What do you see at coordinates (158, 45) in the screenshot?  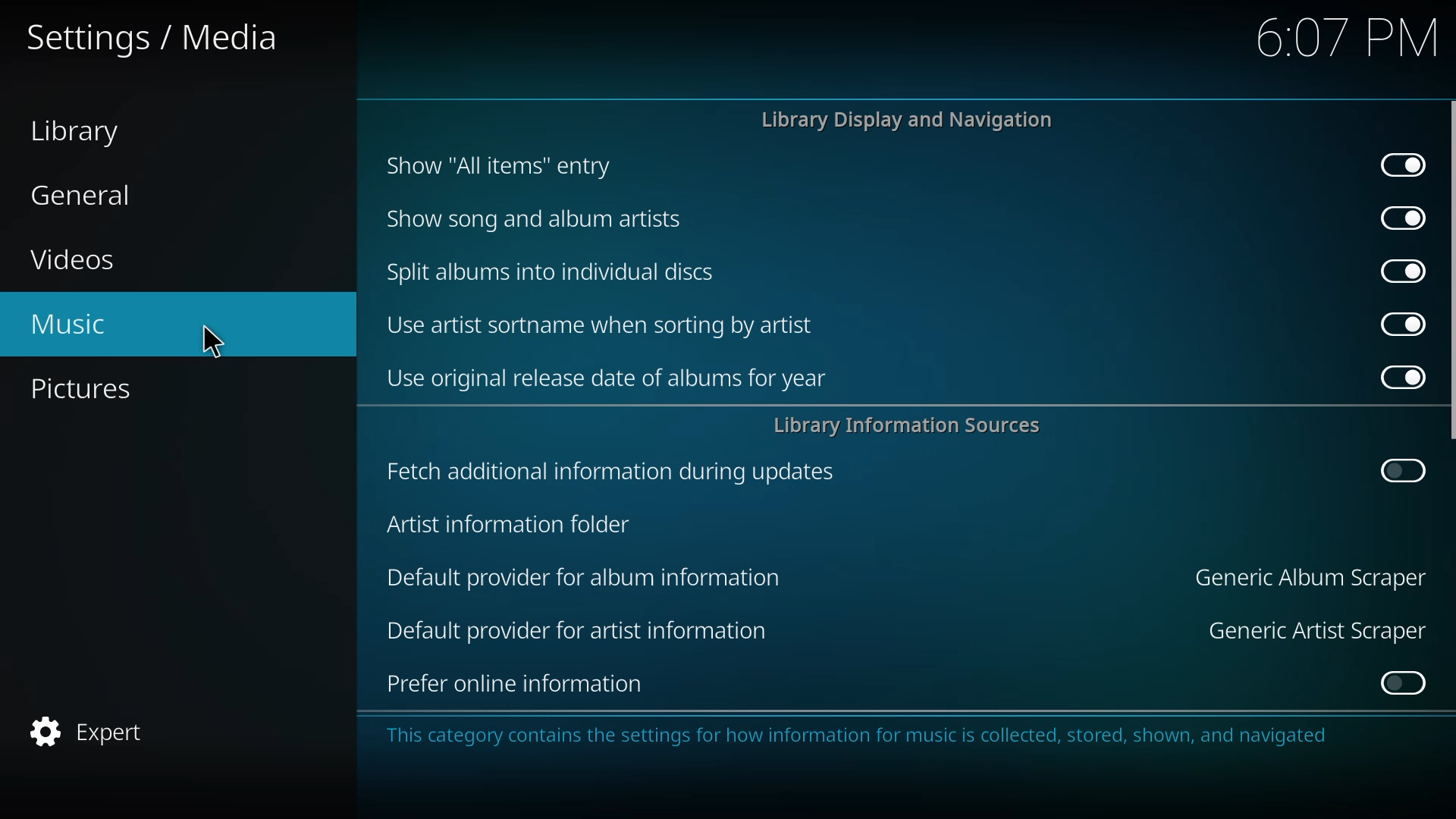 I see `settings media` at bounding box center [158, 45].